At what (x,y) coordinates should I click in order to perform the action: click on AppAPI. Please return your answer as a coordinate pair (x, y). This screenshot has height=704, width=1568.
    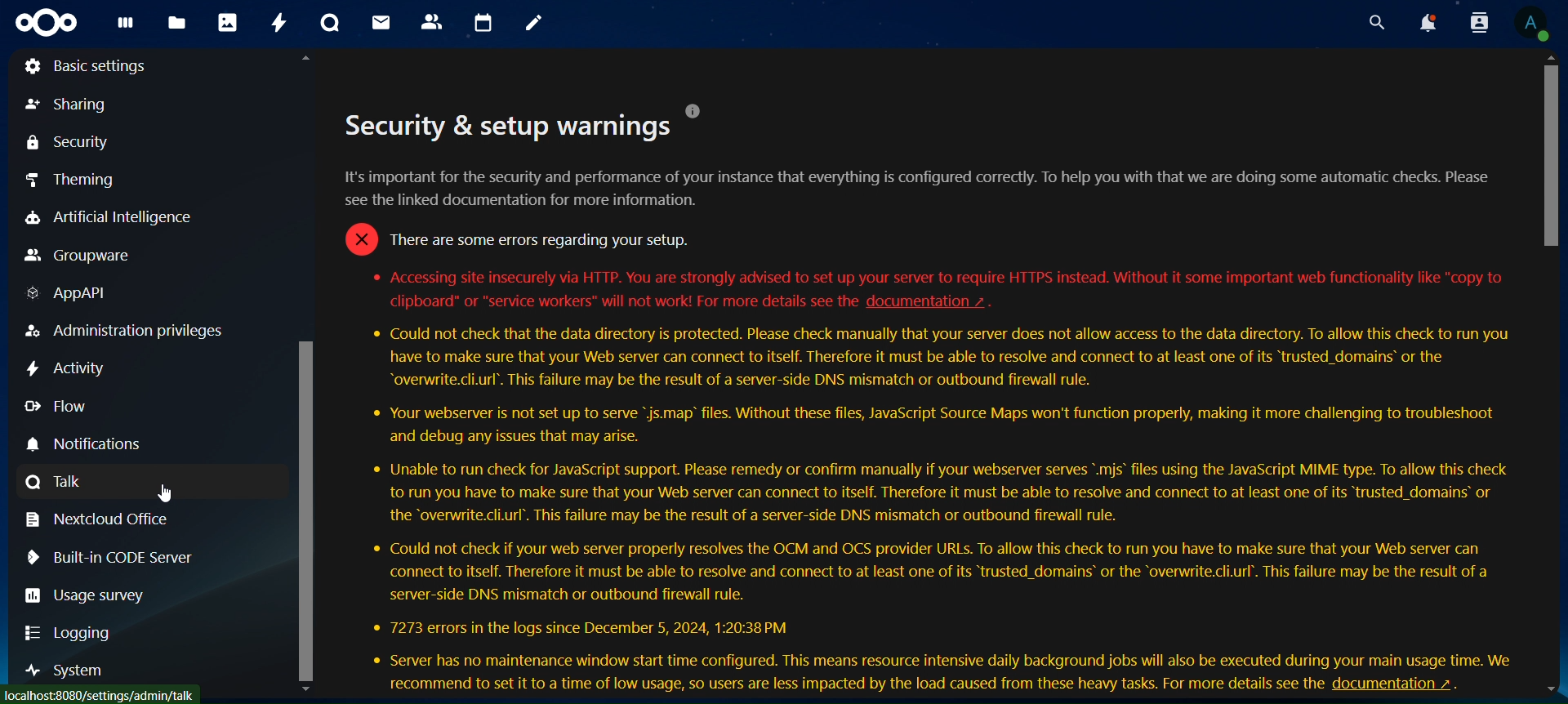
    Looking at the image, I should click on (73, 297).